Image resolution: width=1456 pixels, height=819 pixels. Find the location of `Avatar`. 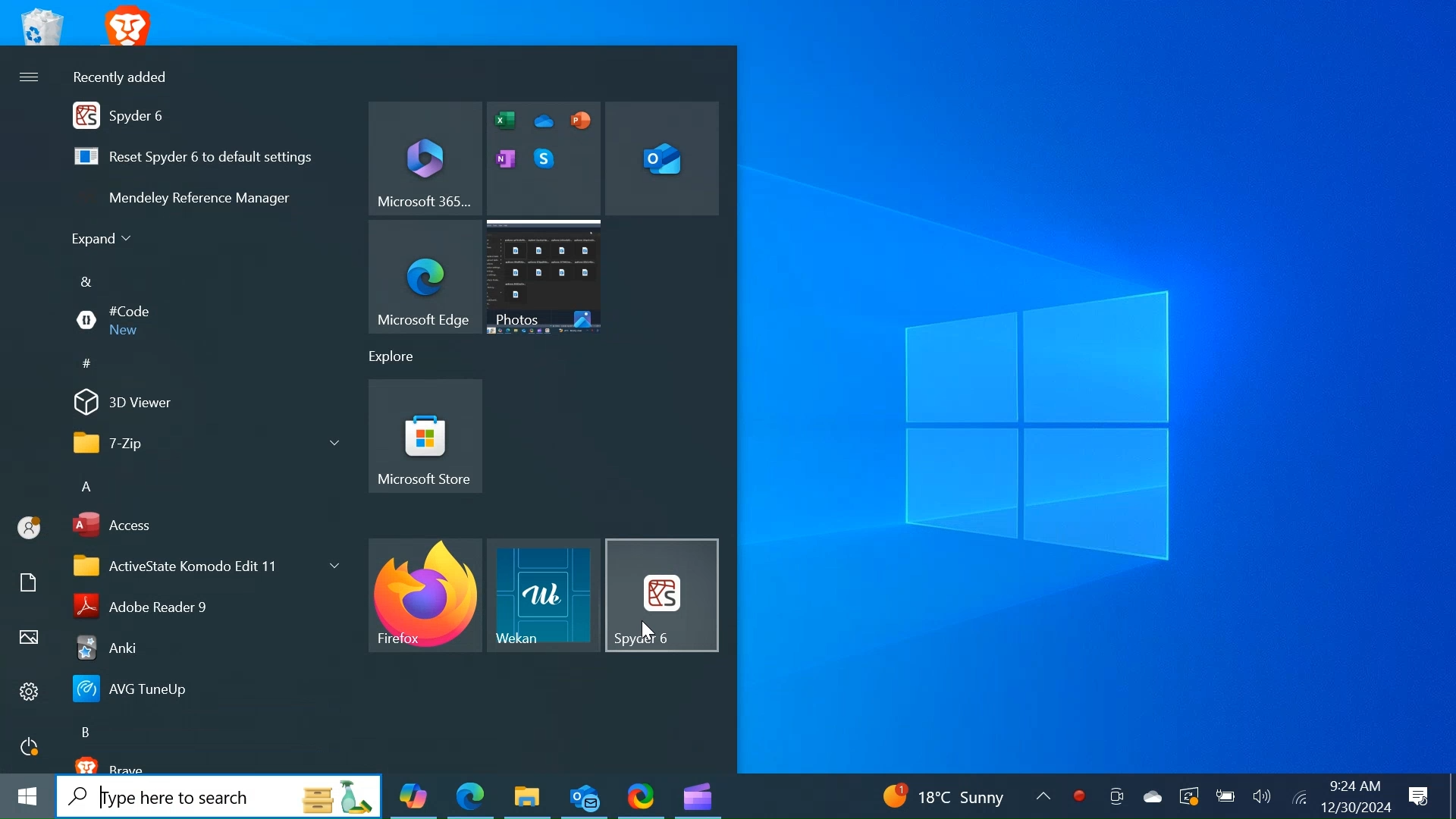

Avatar is located at coordinates (30, 530).